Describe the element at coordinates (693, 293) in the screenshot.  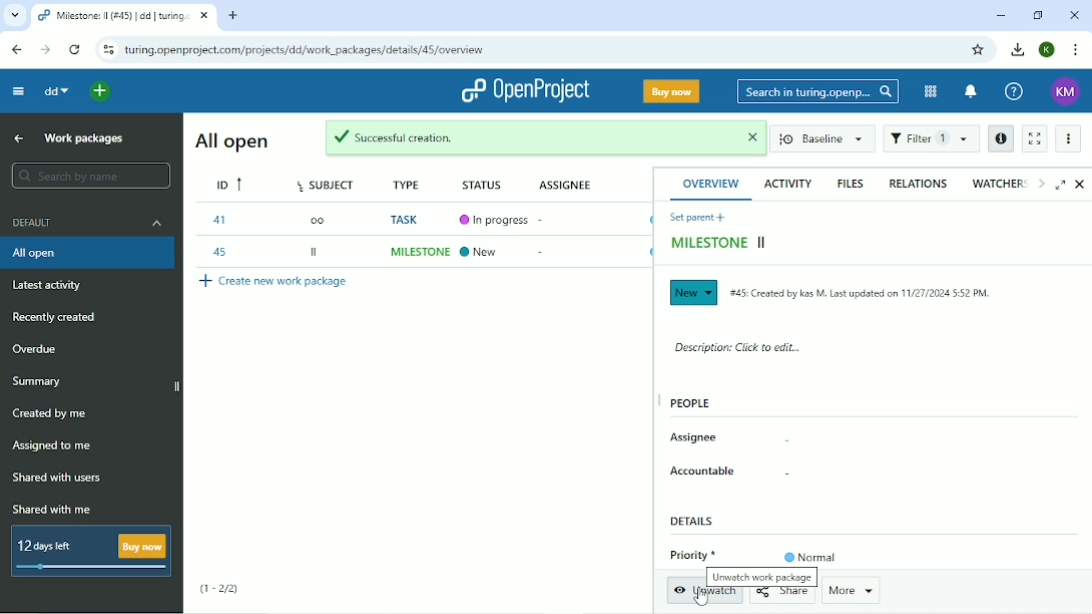
I see `New` at that location.